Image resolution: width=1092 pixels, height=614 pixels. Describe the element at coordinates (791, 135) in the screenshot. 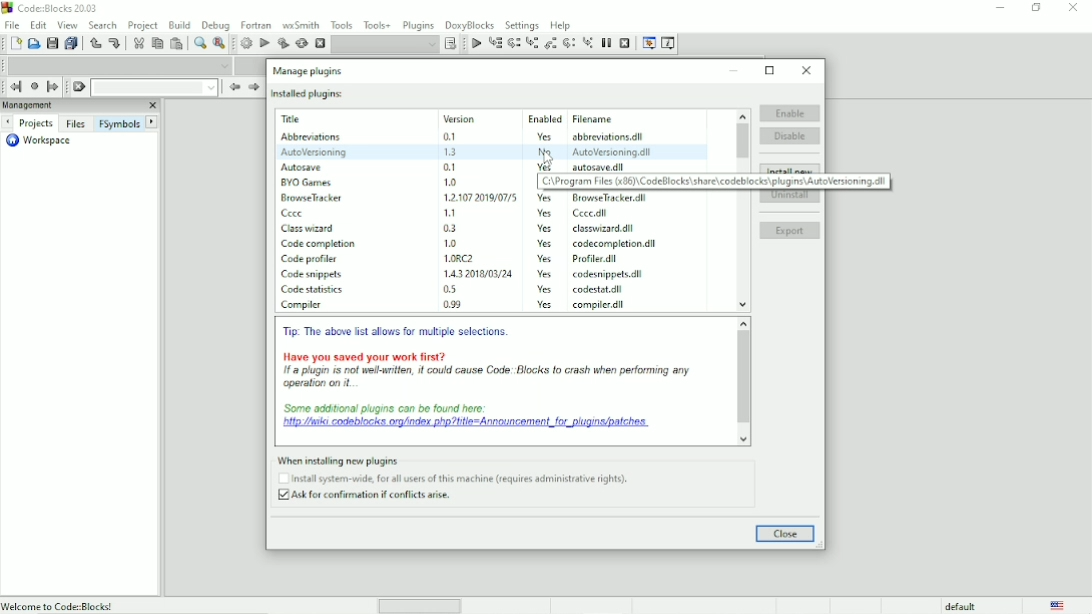

I see `Disable` at that location.